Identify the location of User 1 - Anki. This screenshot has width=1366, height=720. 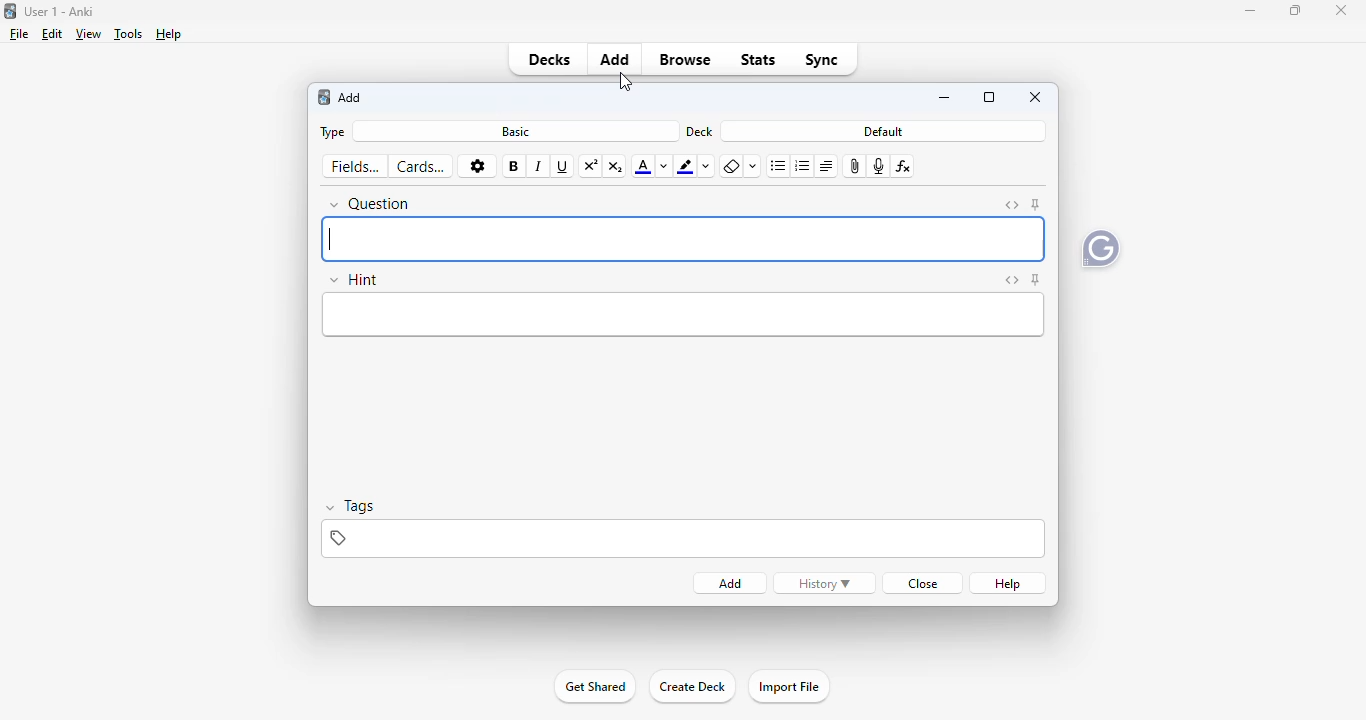
(61, 11).